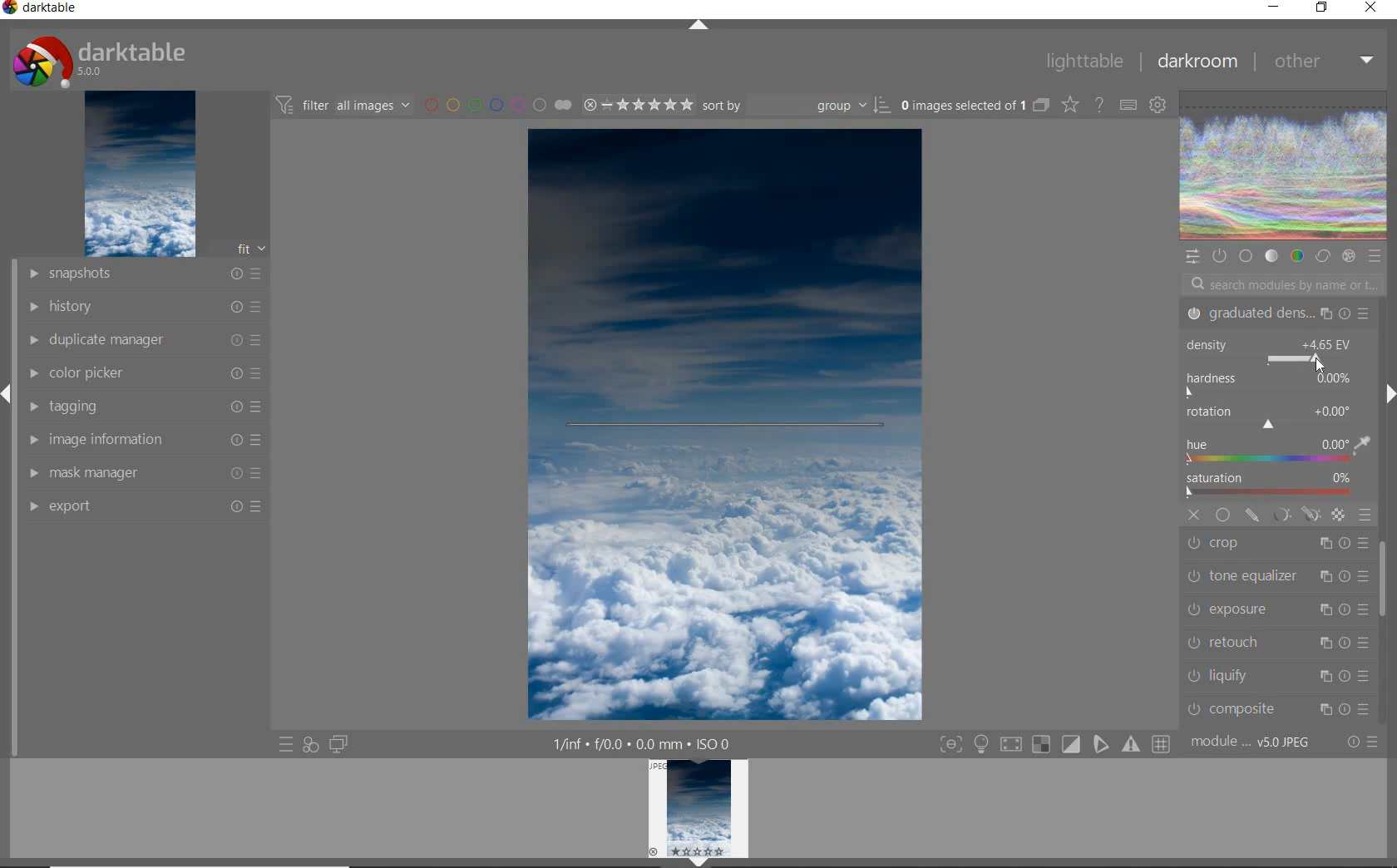 This screenshot has width=1397, height=868. Describe the element at coordinates (699, 862) in the screenshot. I see `Down` at that location.